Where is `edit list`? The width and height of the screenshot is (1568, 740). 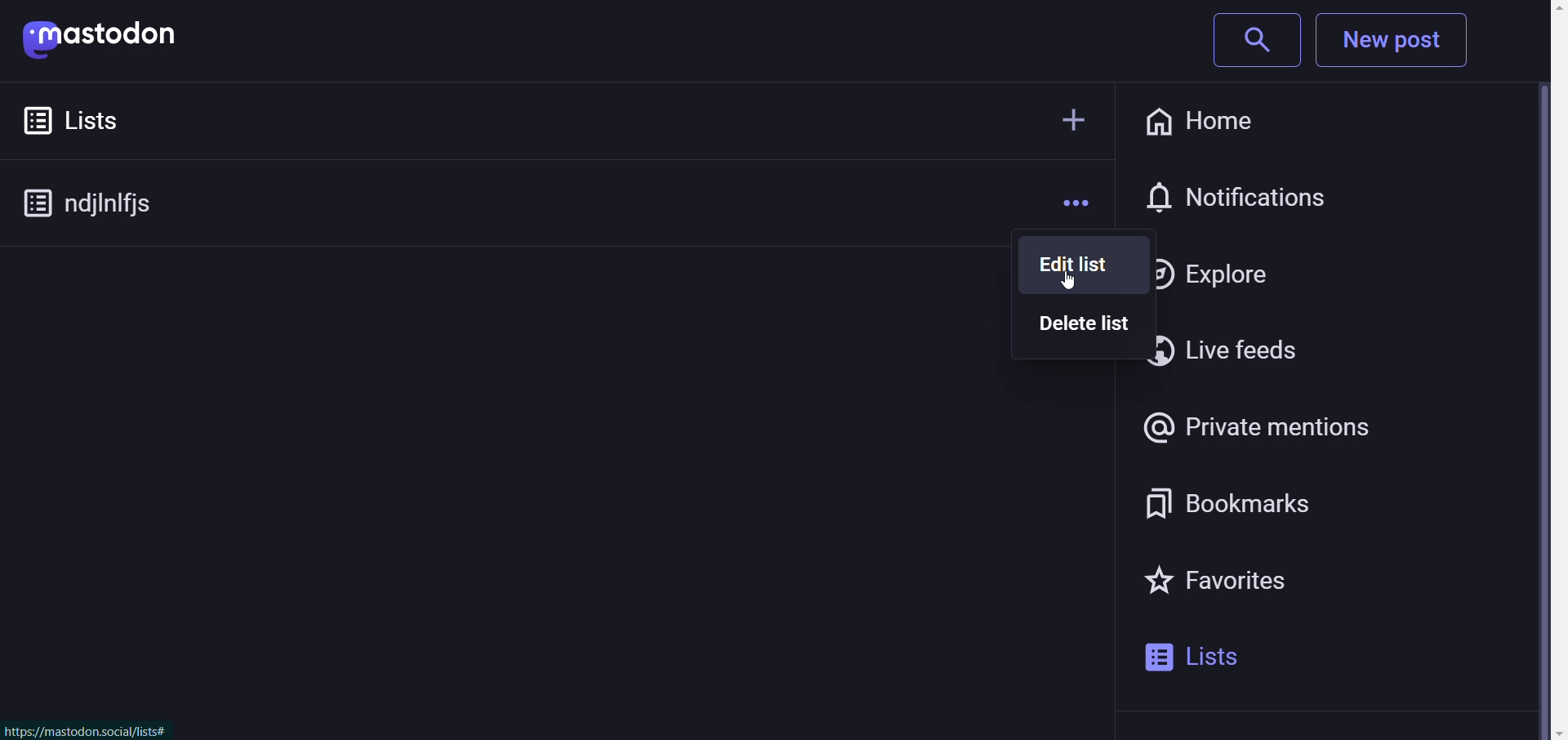
edit list is located at coordinates (1071, 266).